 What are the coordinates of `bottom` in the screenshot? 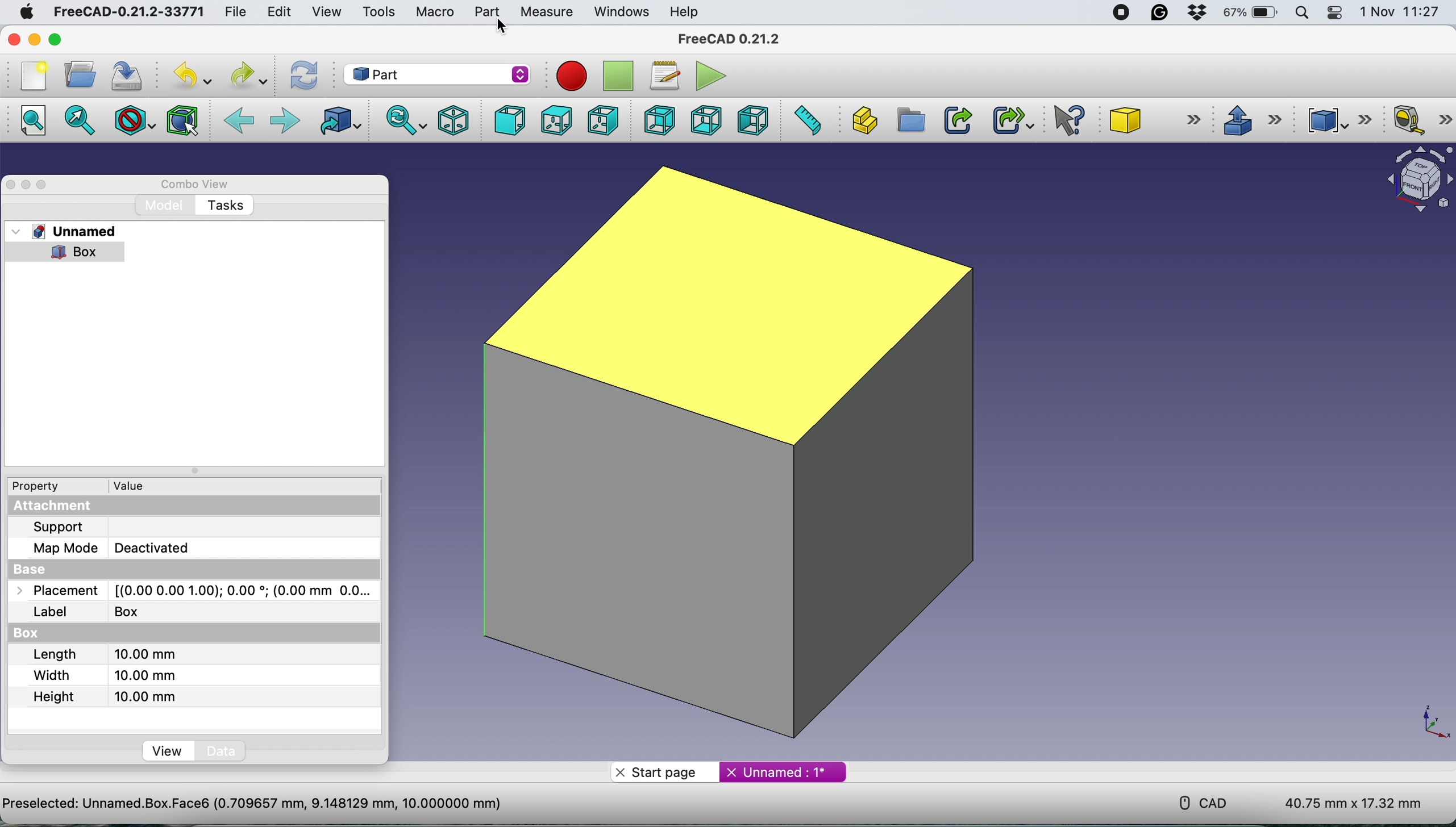 It's located at (708, 118).